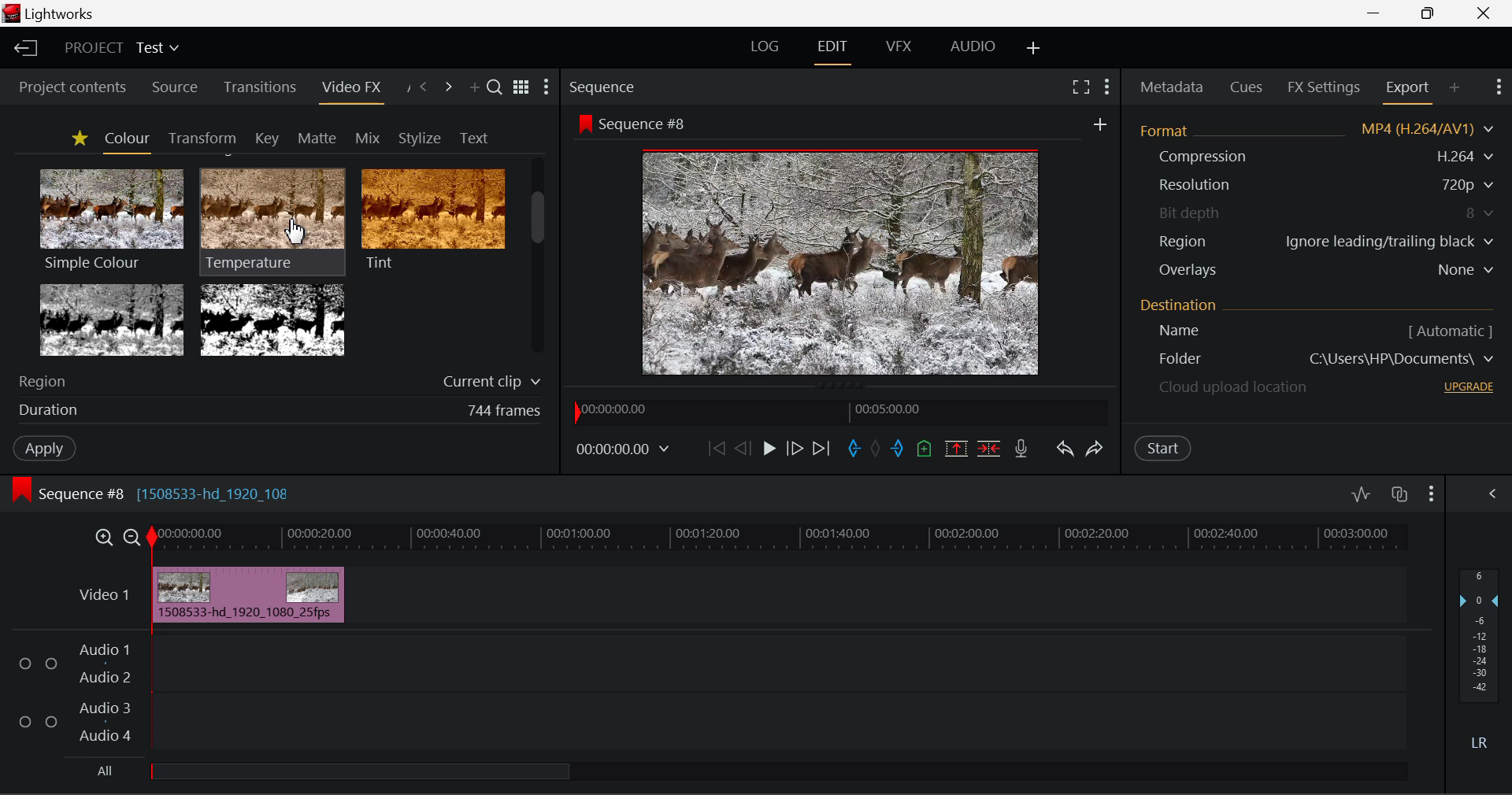  I want to click on Matte, so click(317, 138).